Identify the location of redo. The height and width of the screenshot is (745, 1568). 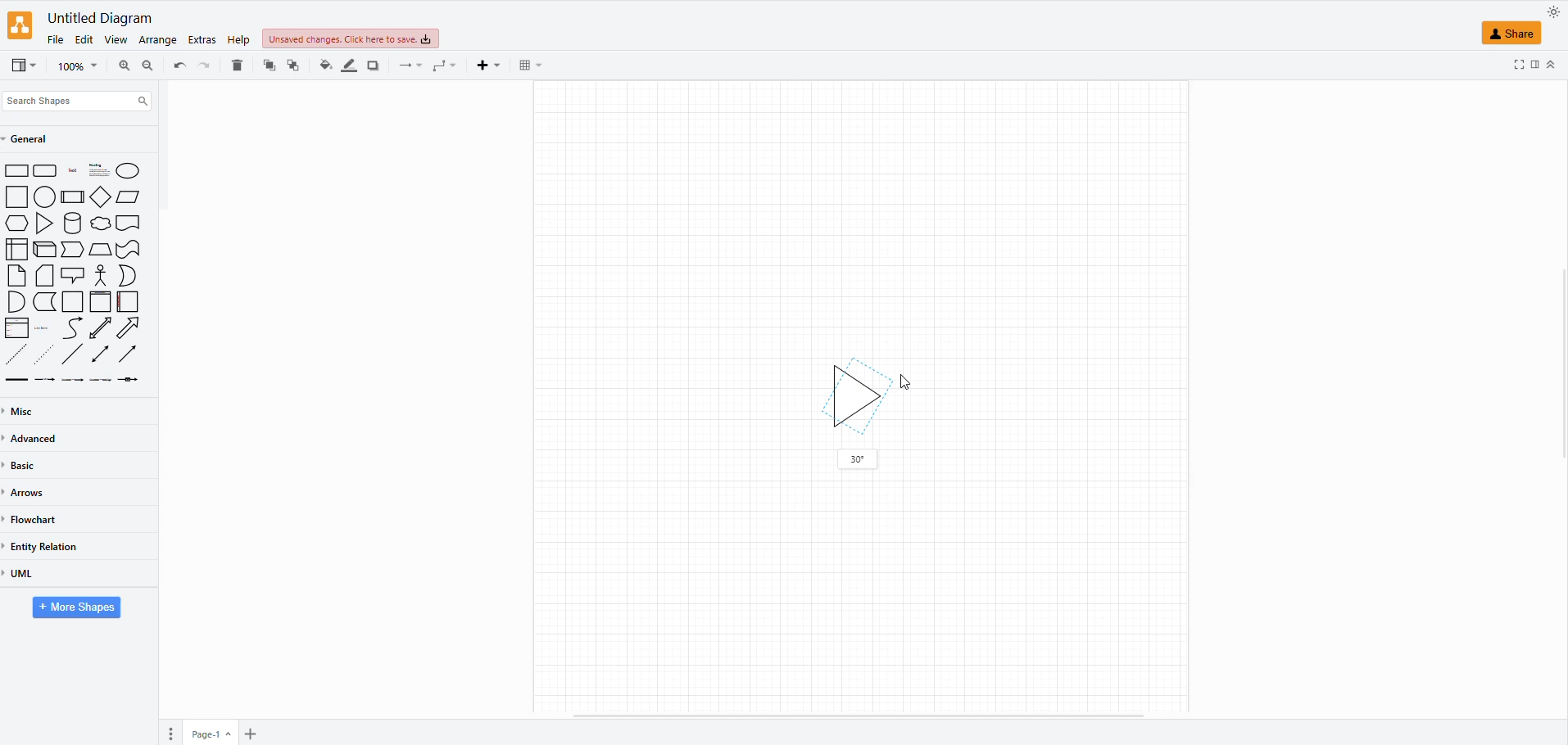
(178, 65).